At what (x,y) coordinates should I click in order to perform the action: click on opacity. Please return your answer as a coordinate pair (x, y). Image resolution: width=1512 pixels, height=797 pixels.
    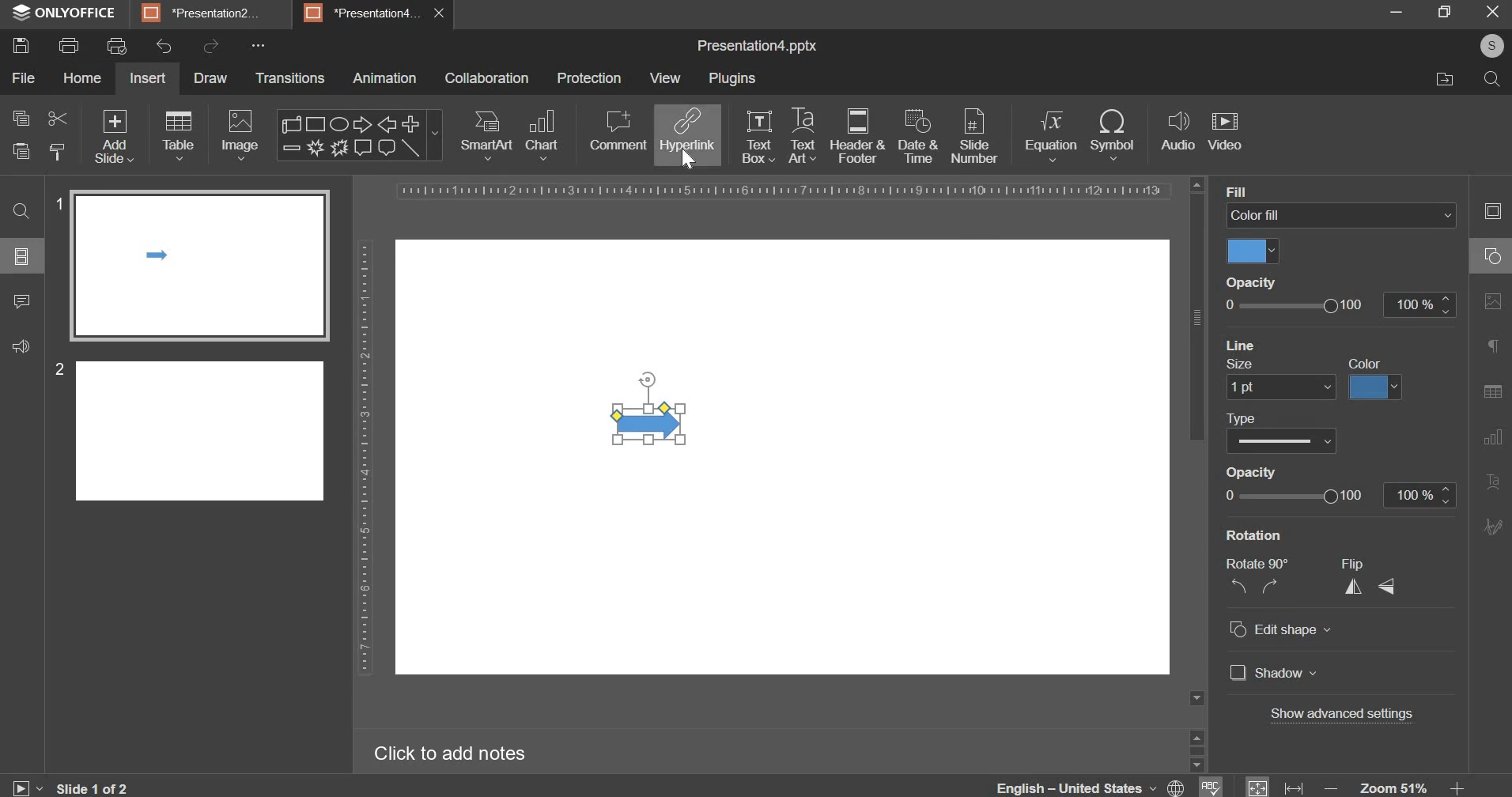
    Looking at the image, I should click on (1341, 304).